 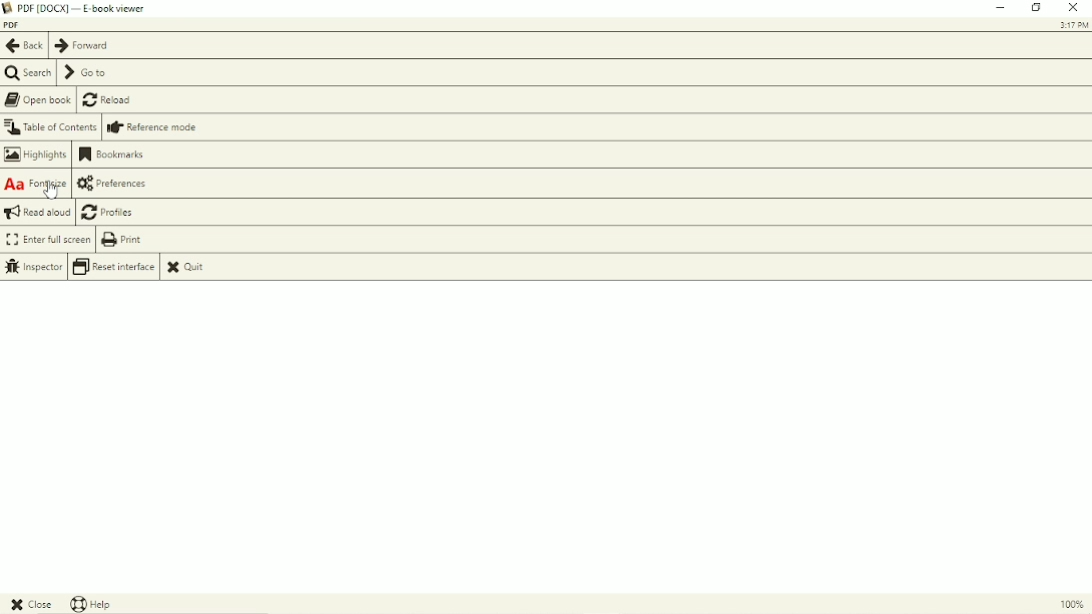 What do you see at coordinates (1001, 9) in the screenshot?
I see `Minimize` at bounding box center [1001, 9].